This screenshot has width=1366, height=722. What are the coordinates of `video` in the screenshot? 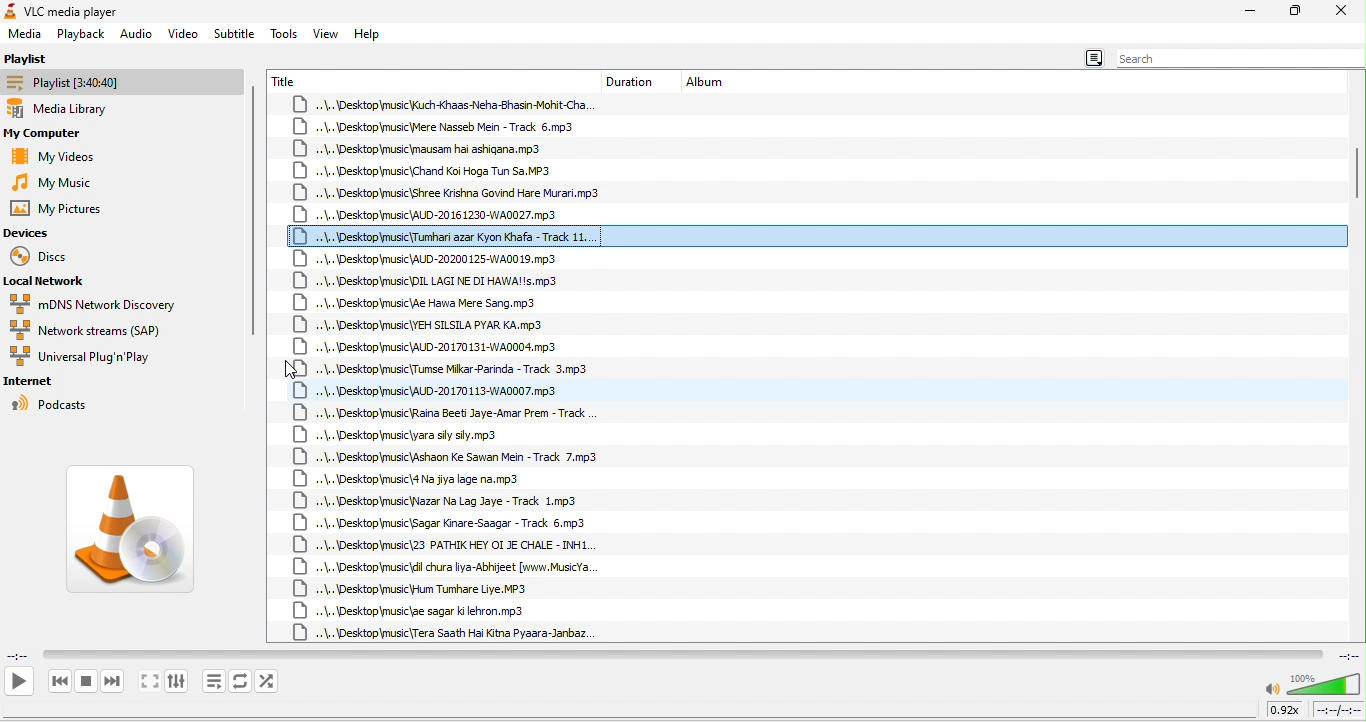 It's located at (183, 32).